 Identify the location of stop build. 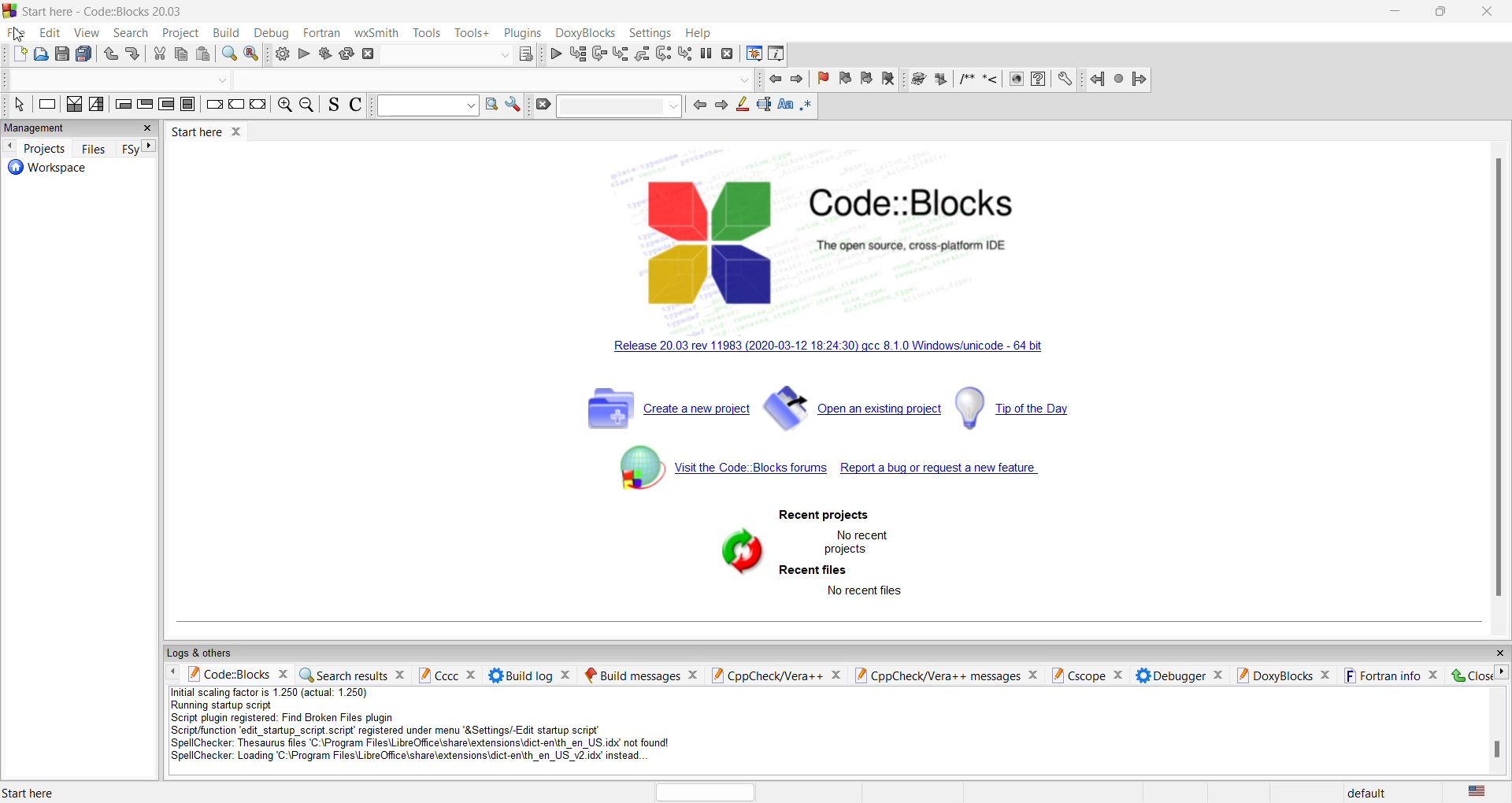
(372, 55).